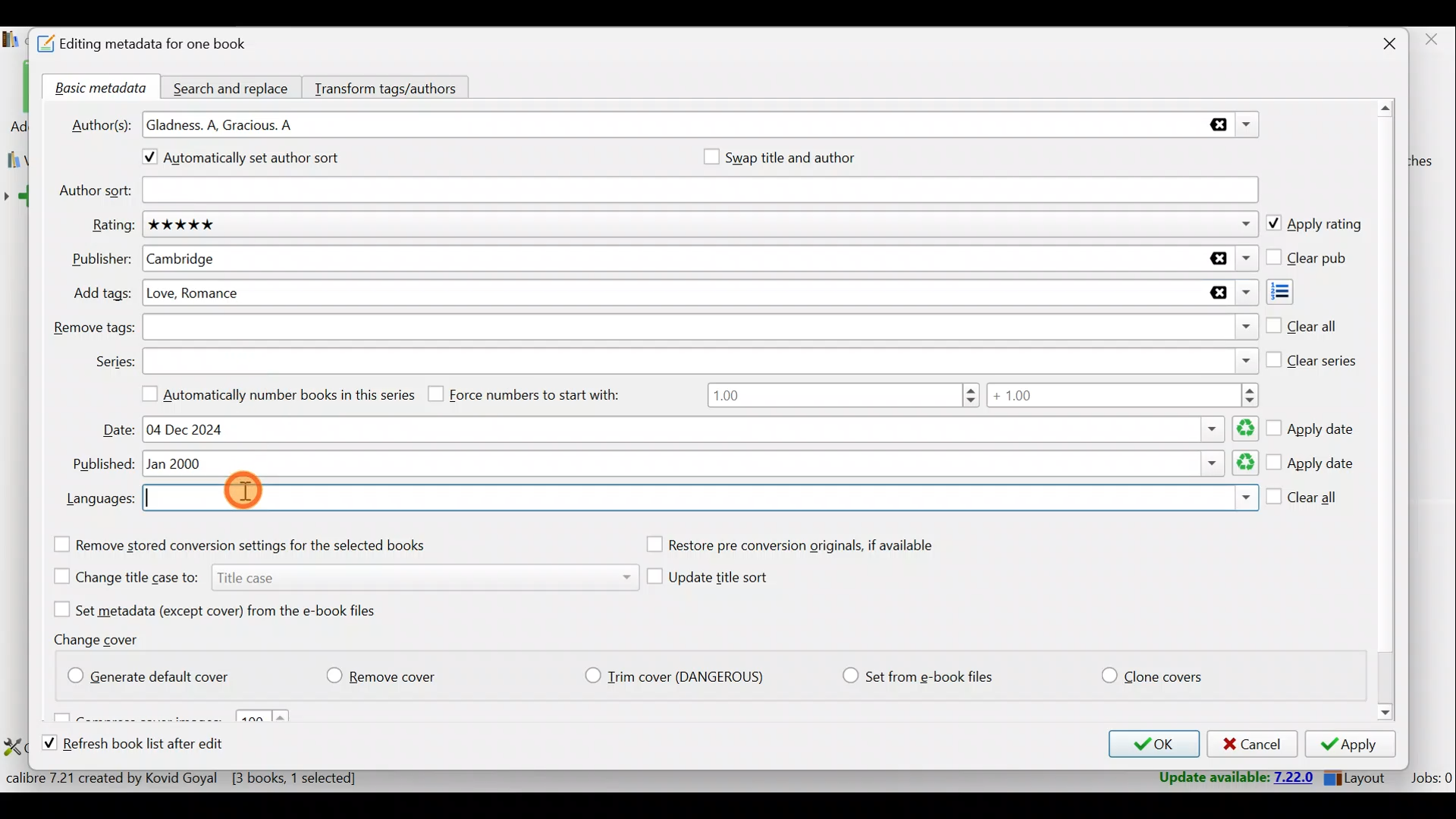  What do you see at coordinates (391, 673) in the screenshot?
I see `Remove cover` at bounding box center [391, 673].